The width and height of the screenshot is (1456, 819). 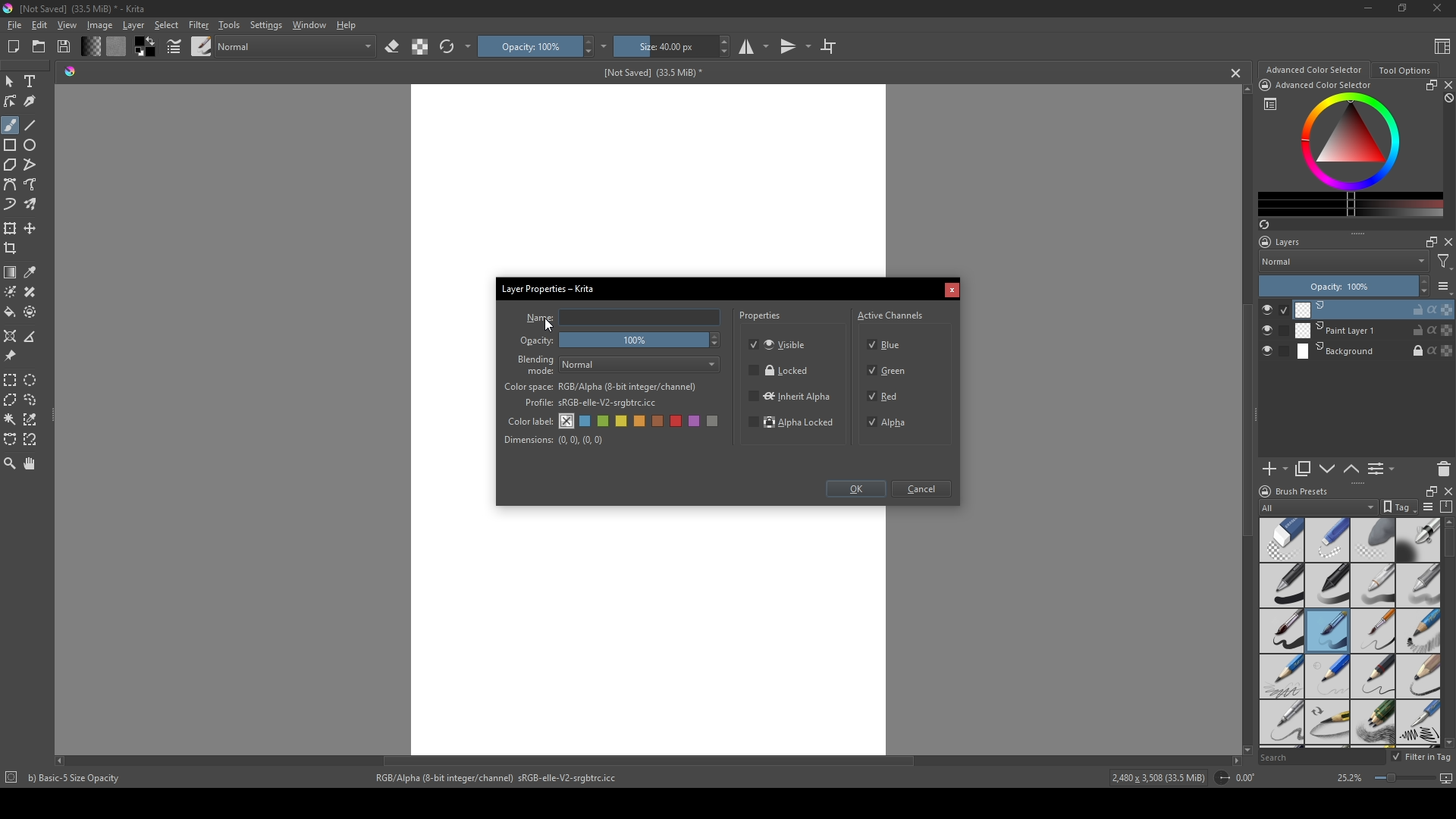 What do you see at coordinates (780, 371) in the screenshot?
I see `Locked` at bounding box center [780, 371].